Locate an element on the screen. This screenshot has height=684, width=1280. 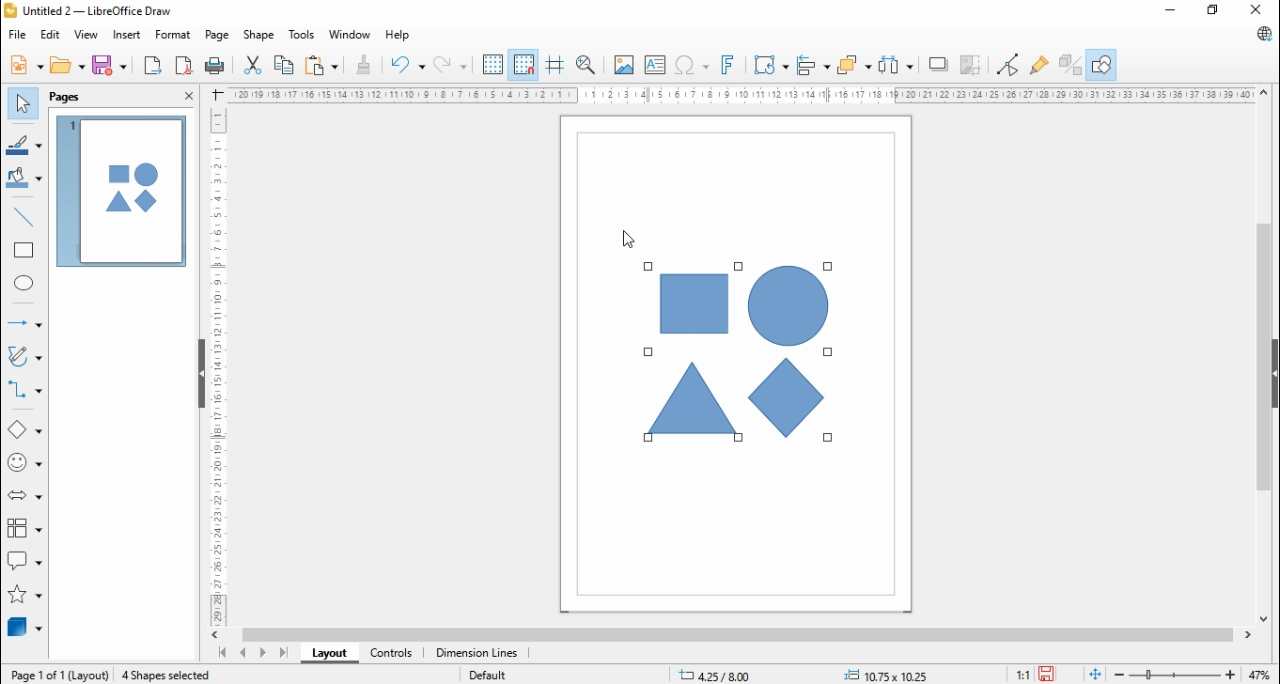
shape 2 is located at coordinates (692, 399).